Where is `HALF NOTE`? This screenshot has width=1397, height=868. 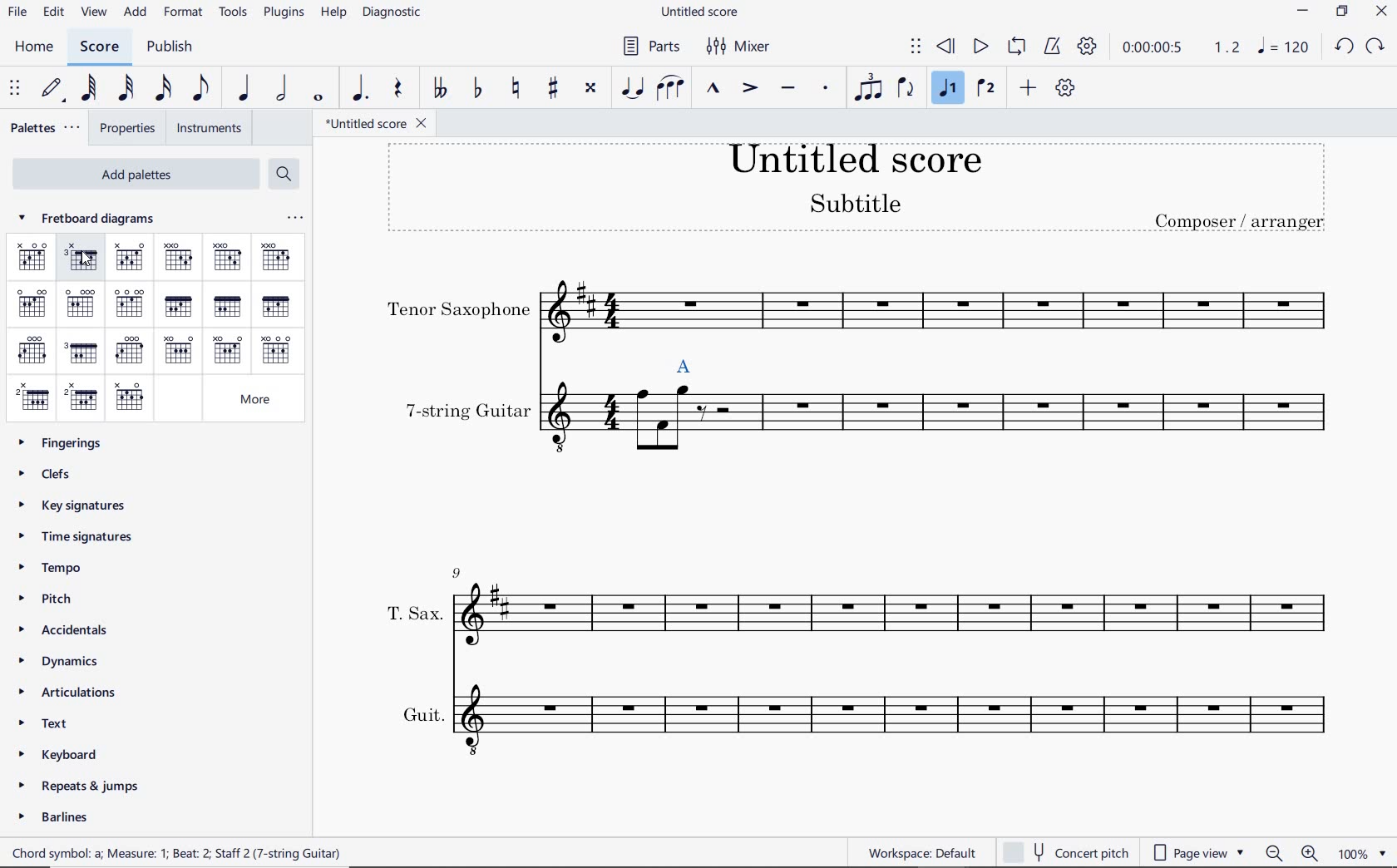 HALF NOTE is located at coordinates (280, 89).